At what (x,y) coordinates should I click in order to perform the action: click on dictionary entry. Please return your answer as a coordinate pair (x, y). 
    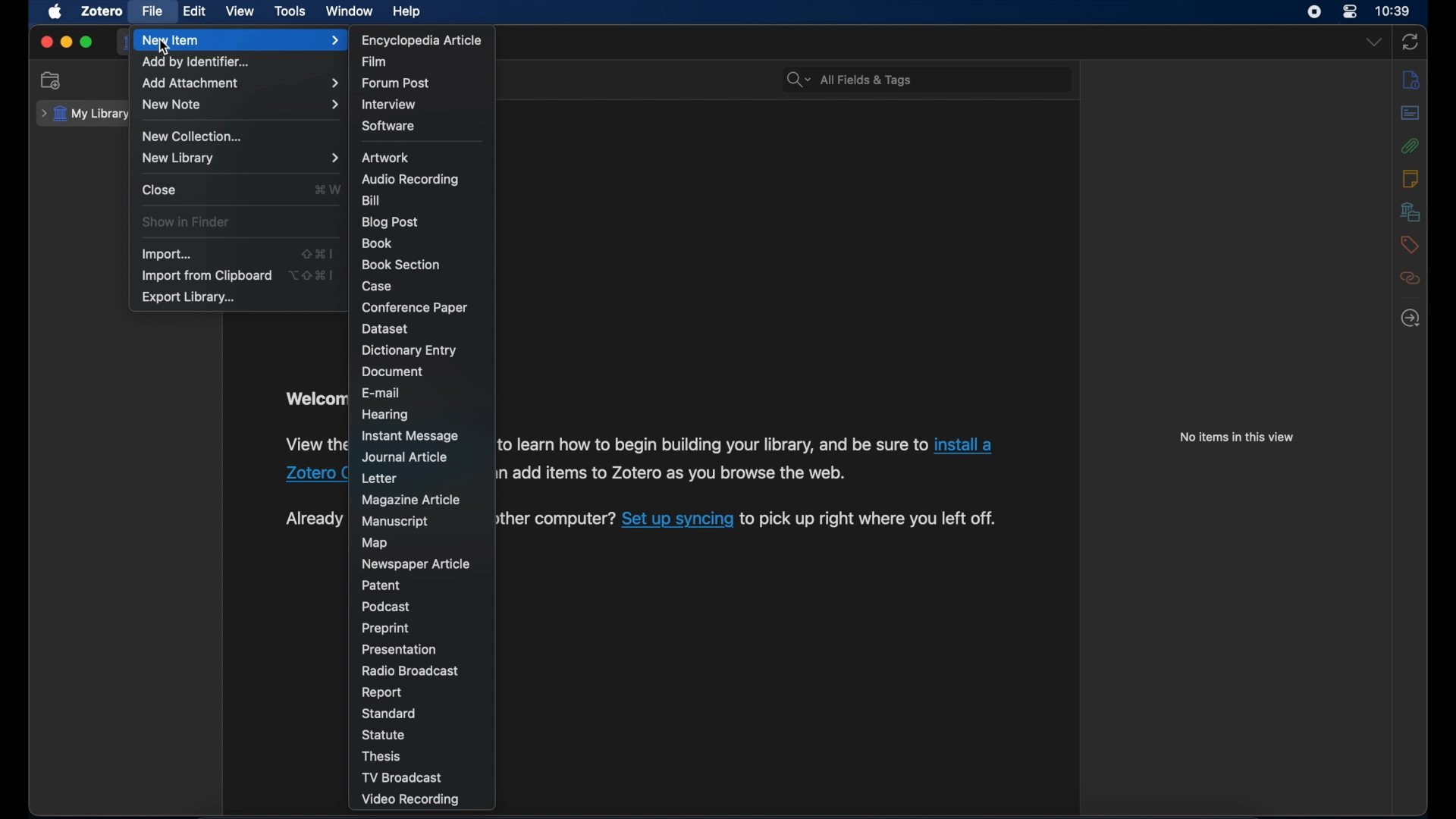
    Looking at the image, I should click on (409, 350).